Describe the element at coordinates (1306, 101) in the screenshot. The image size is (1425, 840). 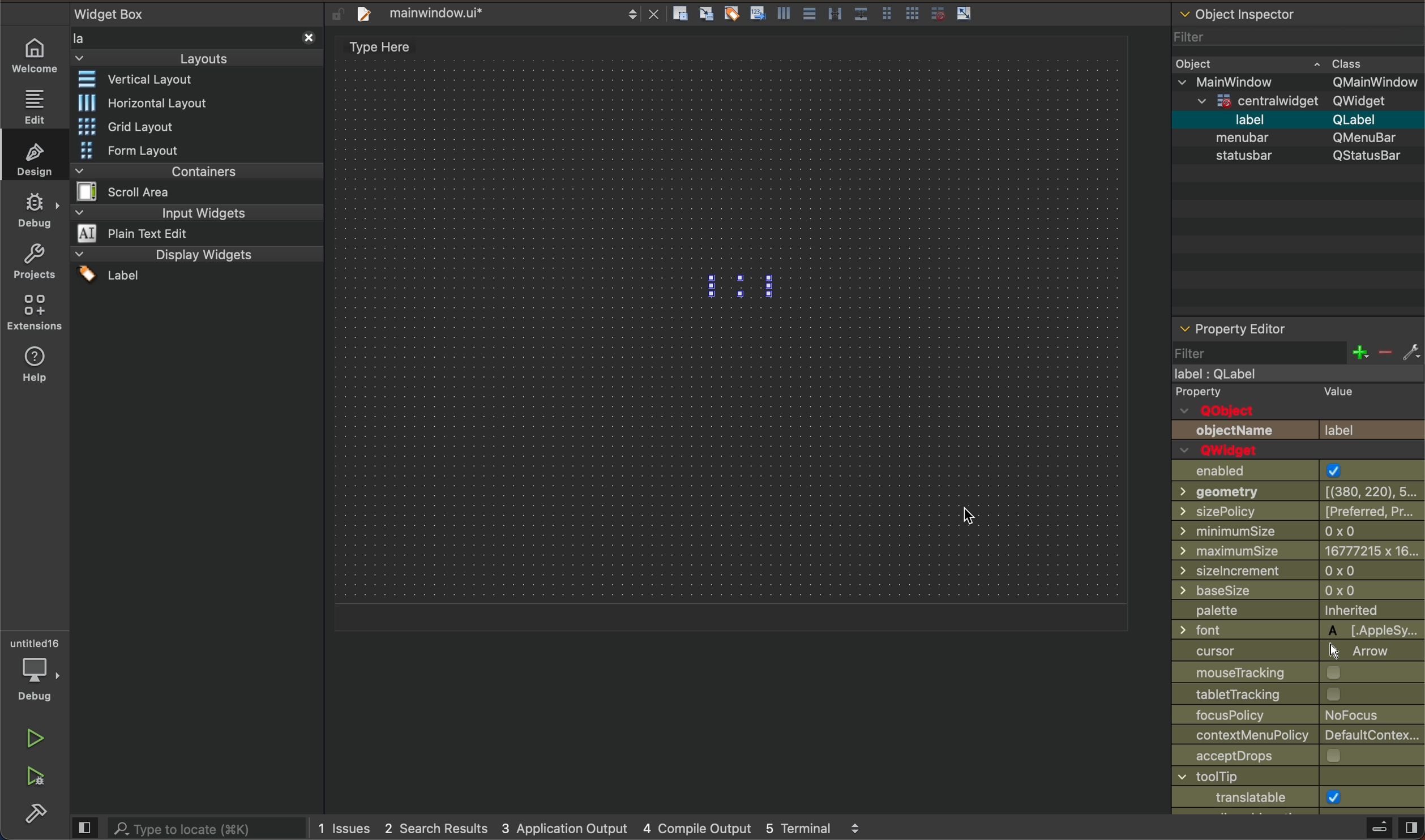
I see `qwidget` at that location.